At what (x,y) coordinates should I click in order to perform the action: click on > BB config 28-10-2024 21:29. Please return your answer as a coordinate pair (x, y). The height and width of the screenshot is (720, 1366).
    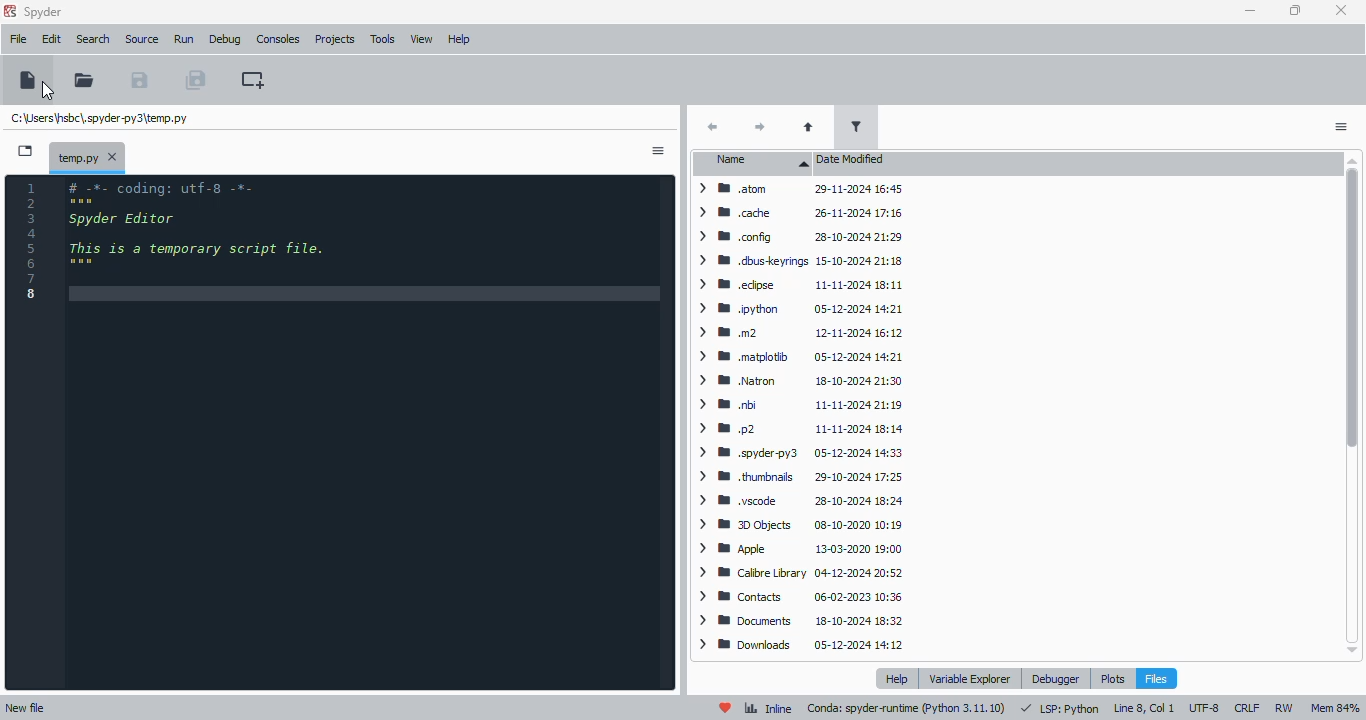
    Looking at the image, I should click on (800, 237).